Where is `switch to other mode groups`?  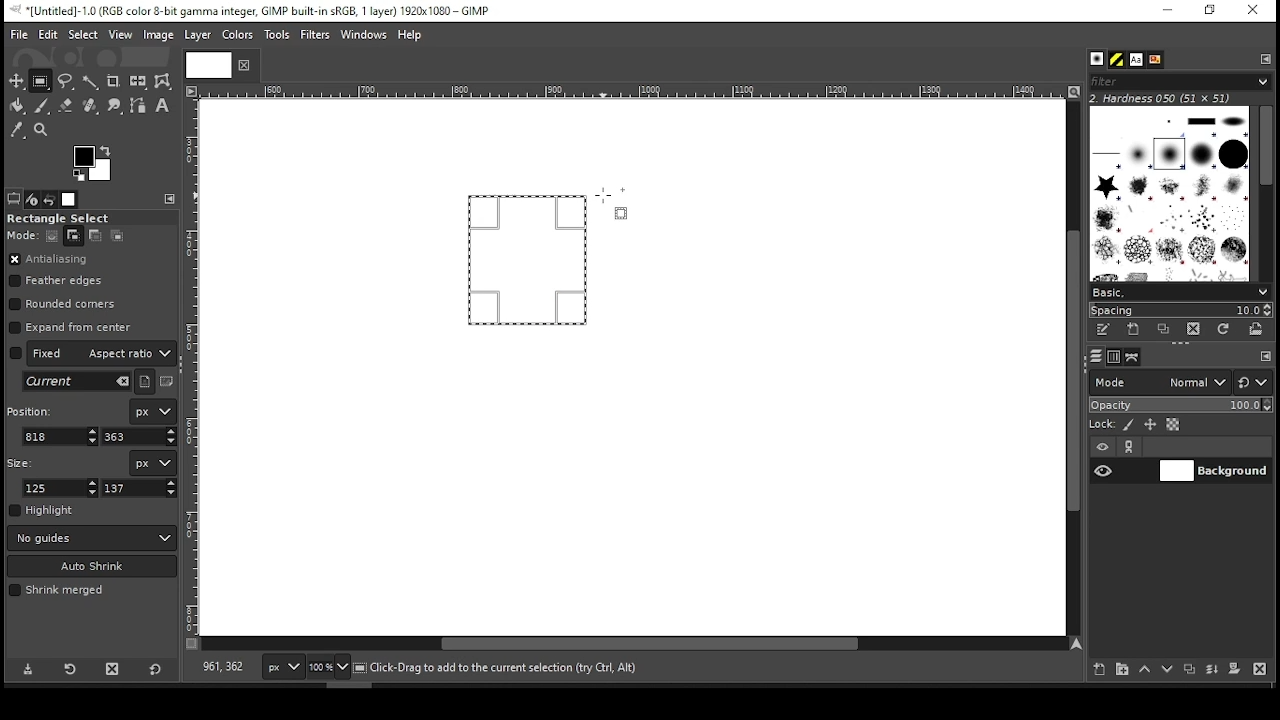 switch to other mode groups is located at coordinates (1252, 384).